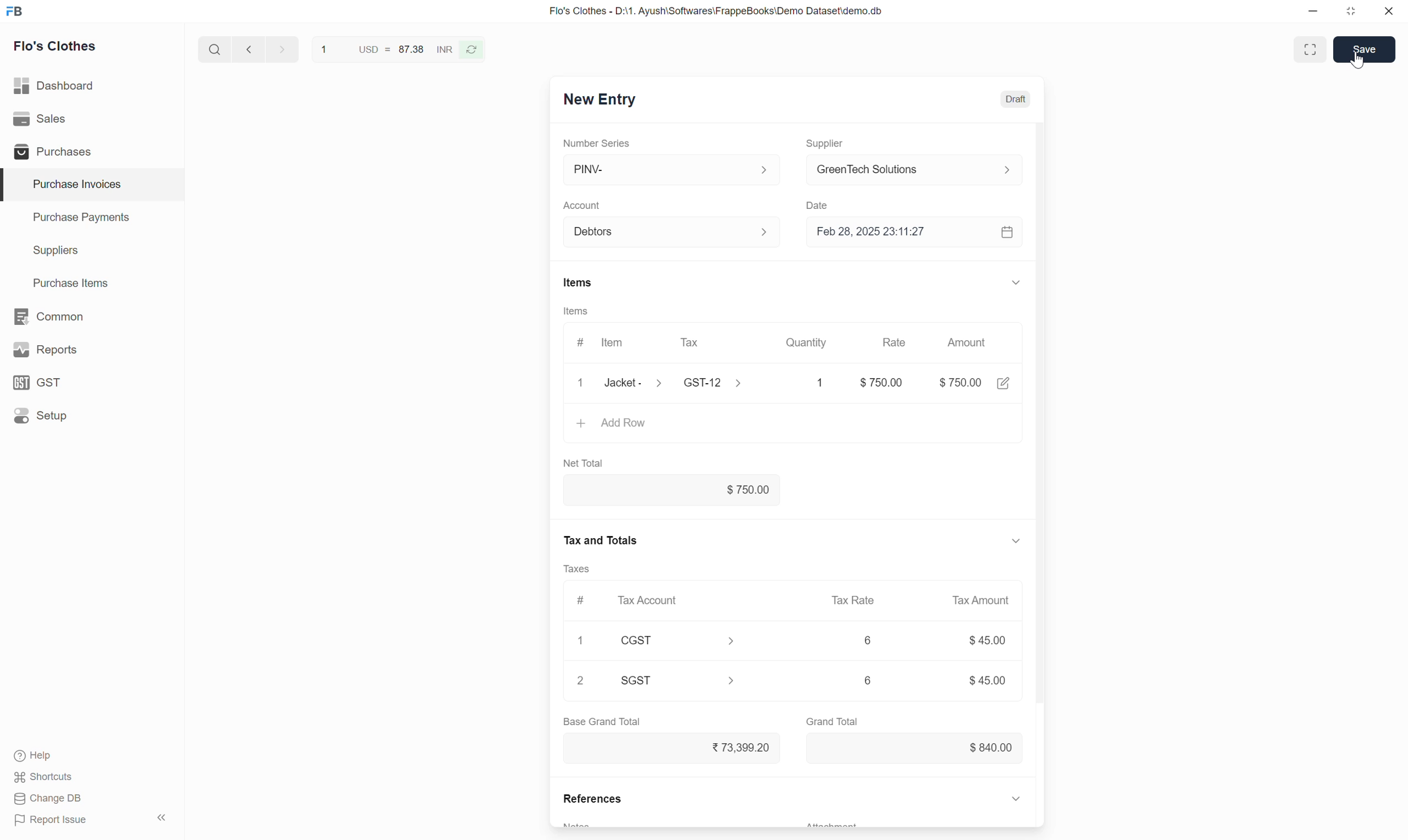 The image size is (1408, 840). Describe the element at coordinates (921, 169) in the screenshot. I see `GreenTech Solutions` at that location.